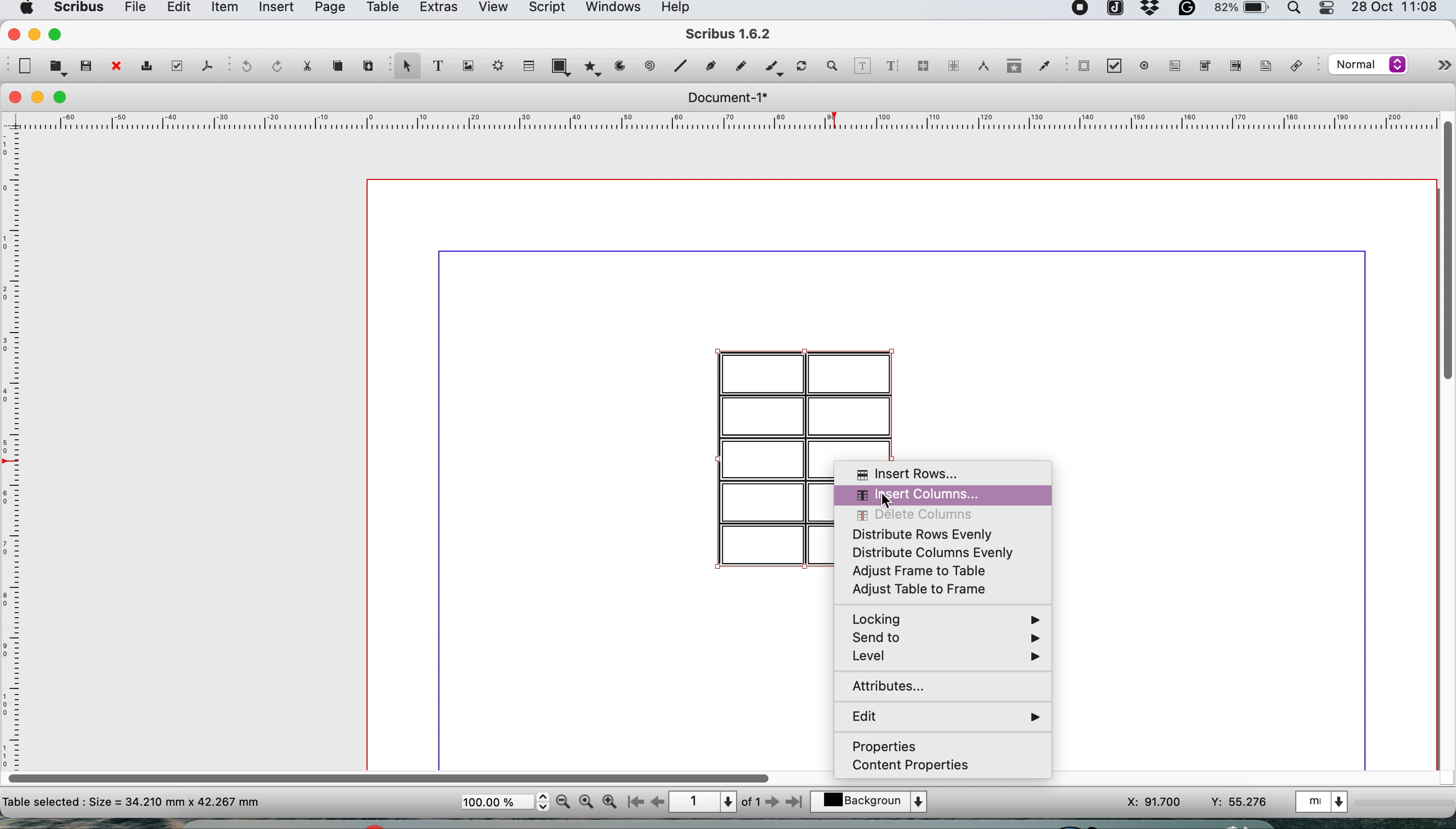 Image resolution: width=1456 pixels, height=829 pixels. Describe the element at coordinates (679, 65) in the screenshot. I see `line` at that location.